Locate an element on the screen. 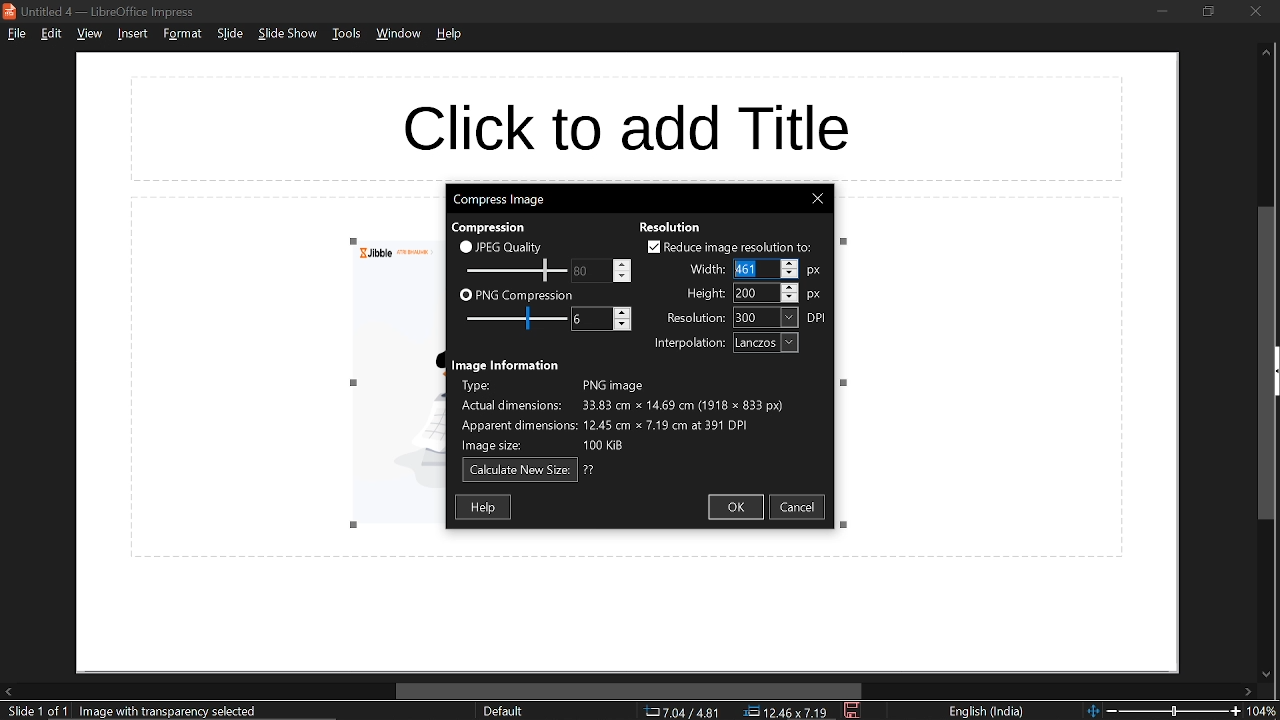 The image size is (1280, 720). save is located at coordinates (852, 711).